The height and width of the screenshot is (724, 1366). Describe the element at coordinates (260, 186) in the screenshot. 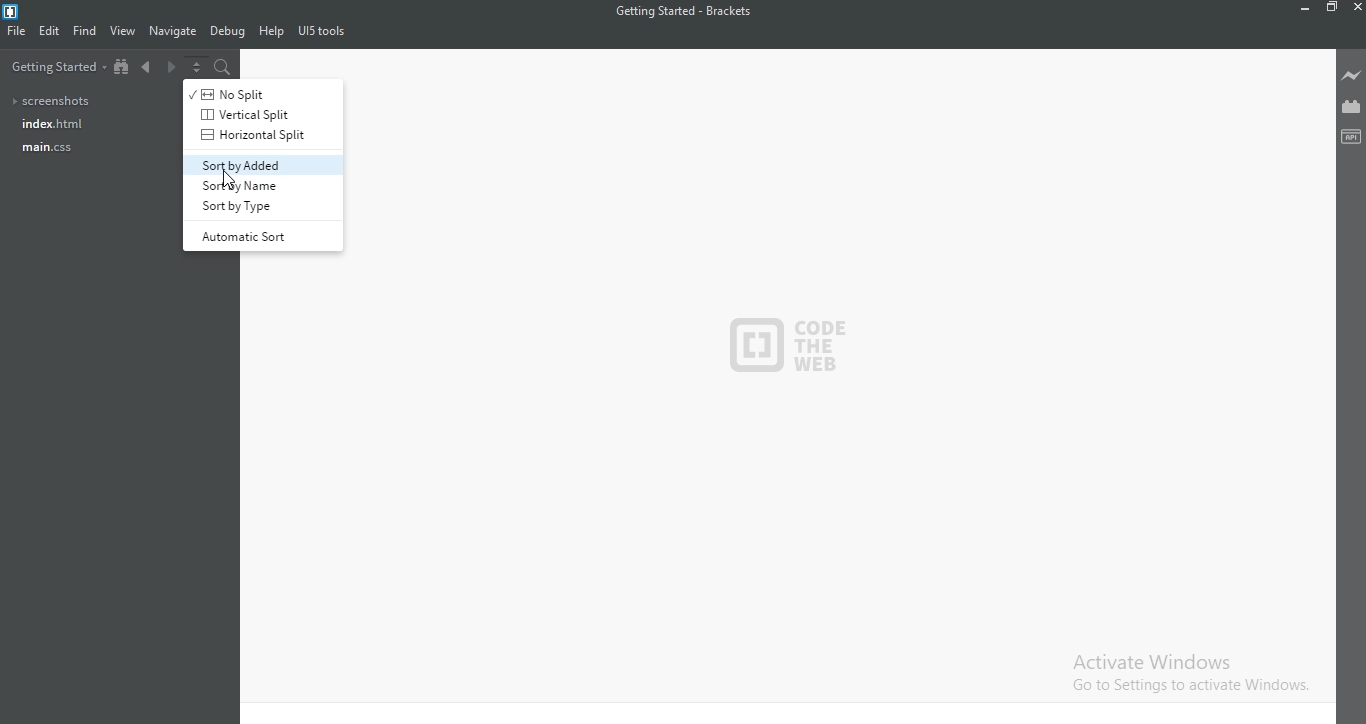

I see `sort by name` at that location.